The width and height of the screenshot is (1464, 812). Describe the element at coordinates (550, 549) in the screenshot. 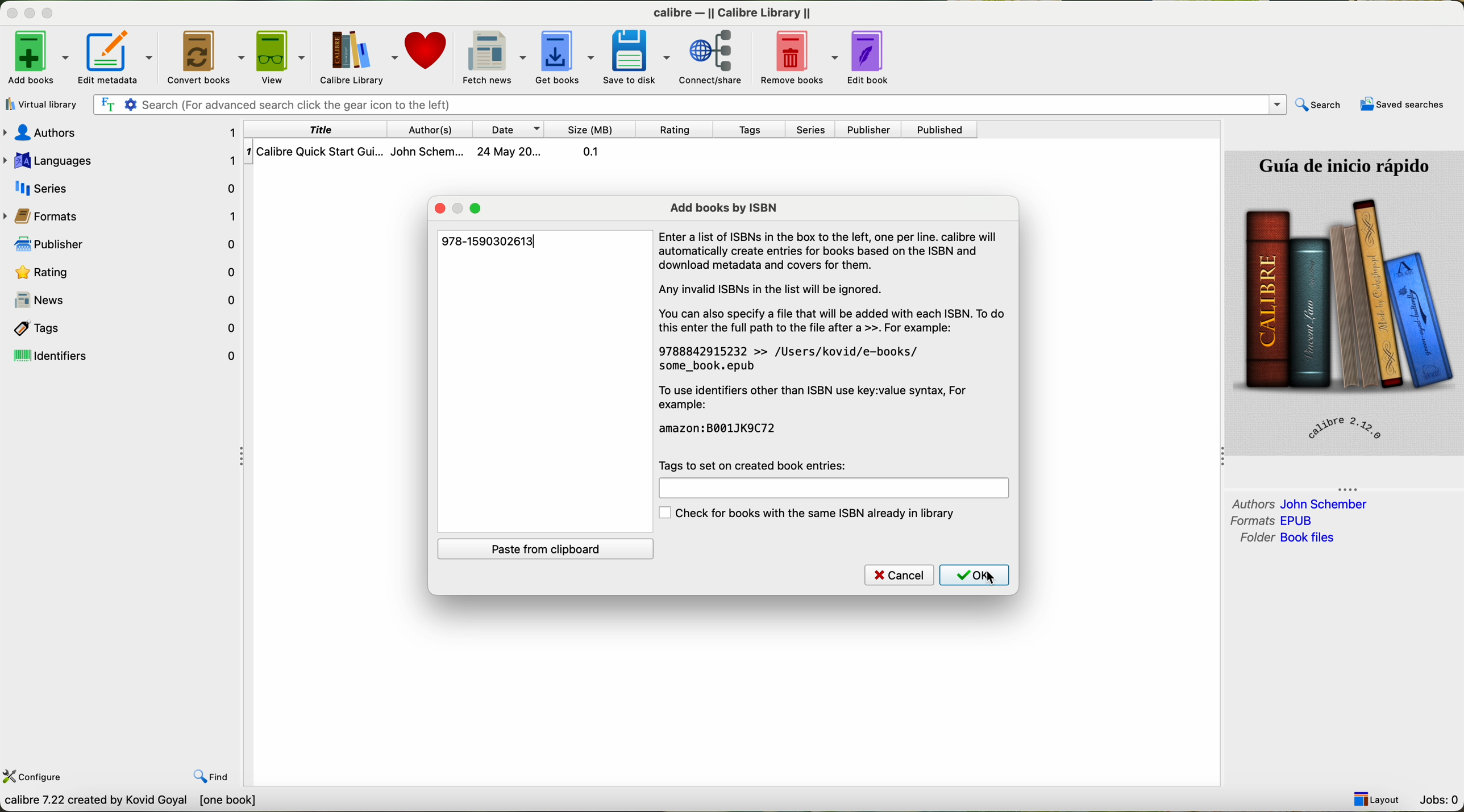

I see `paste from clipboard` at that location.